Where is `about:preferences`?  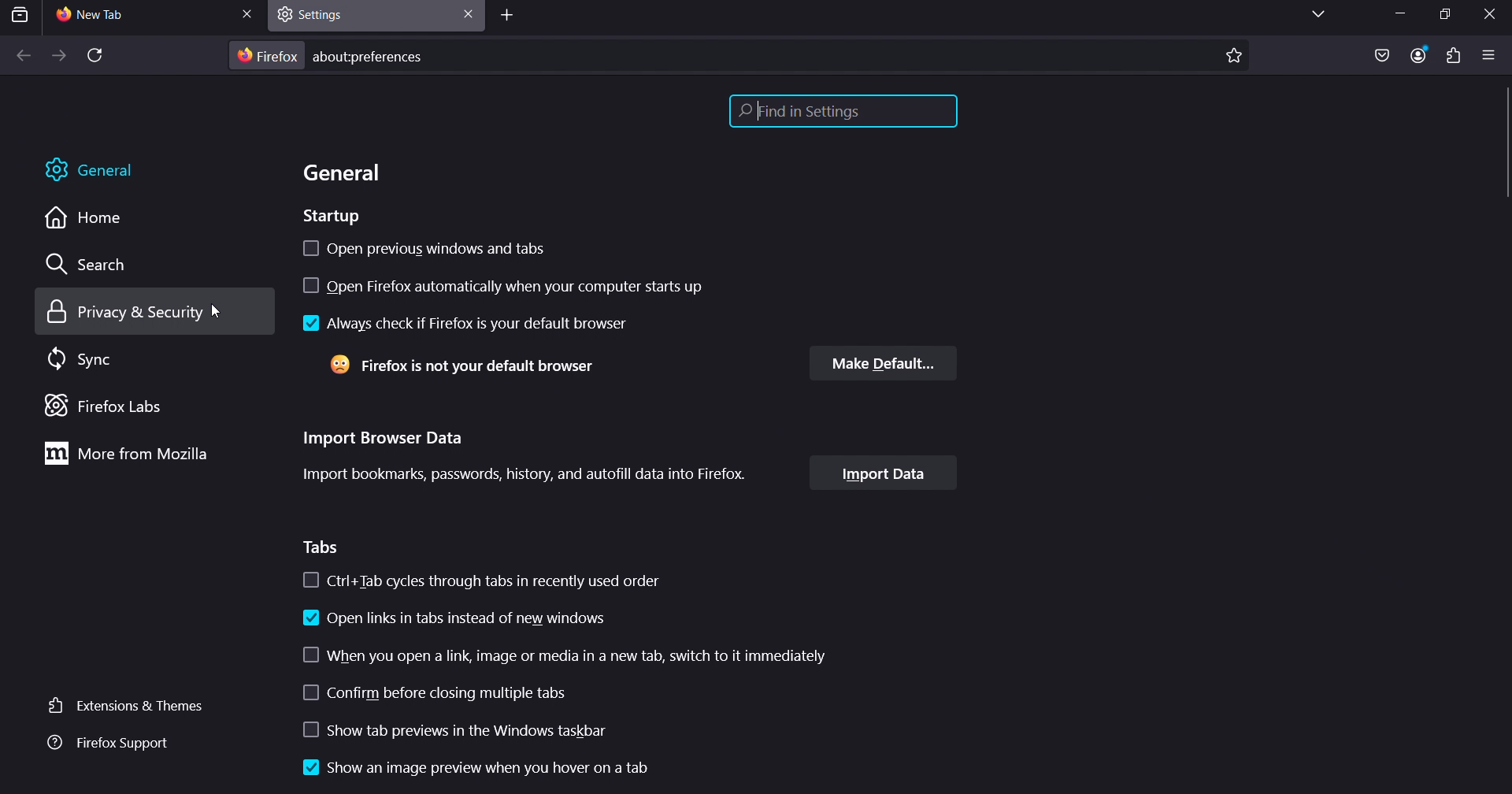 about:preferences is located at coordinates (375, 57).